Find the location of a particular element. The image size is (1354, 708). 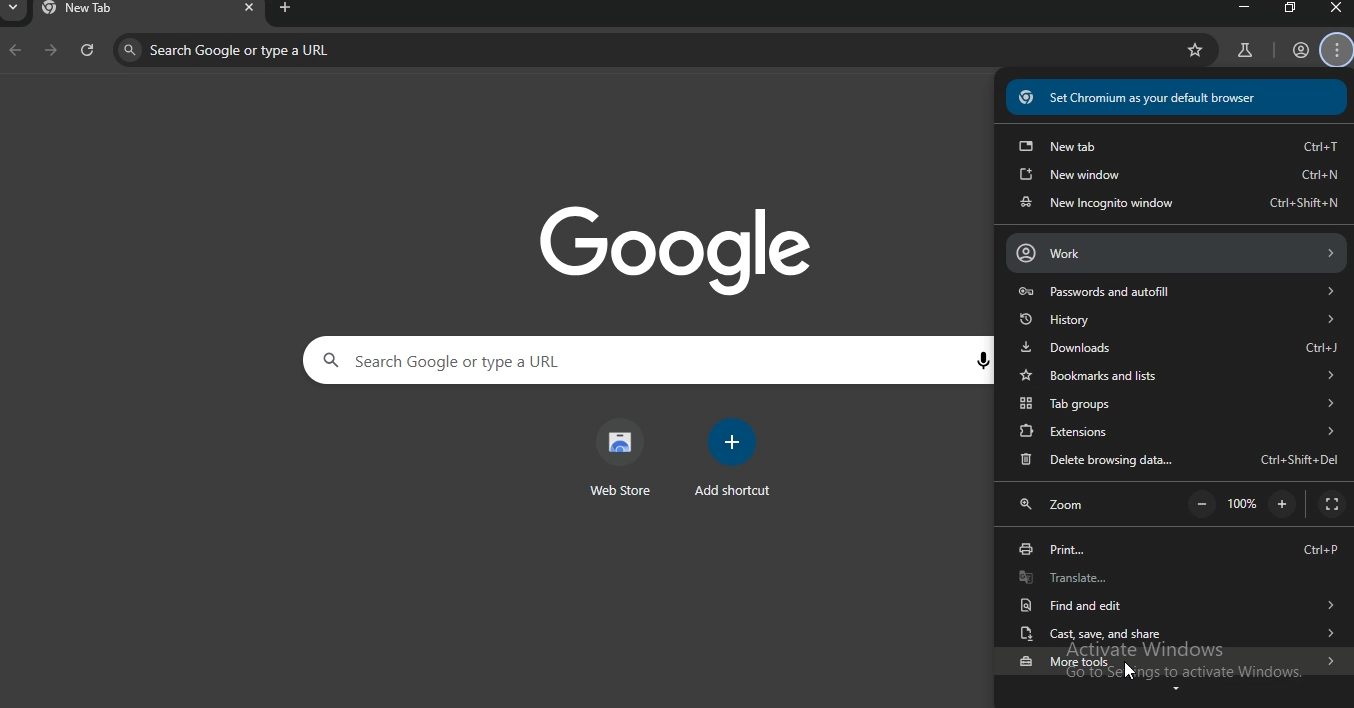

bookmarks and lists is located at coordinates (1180, 376).